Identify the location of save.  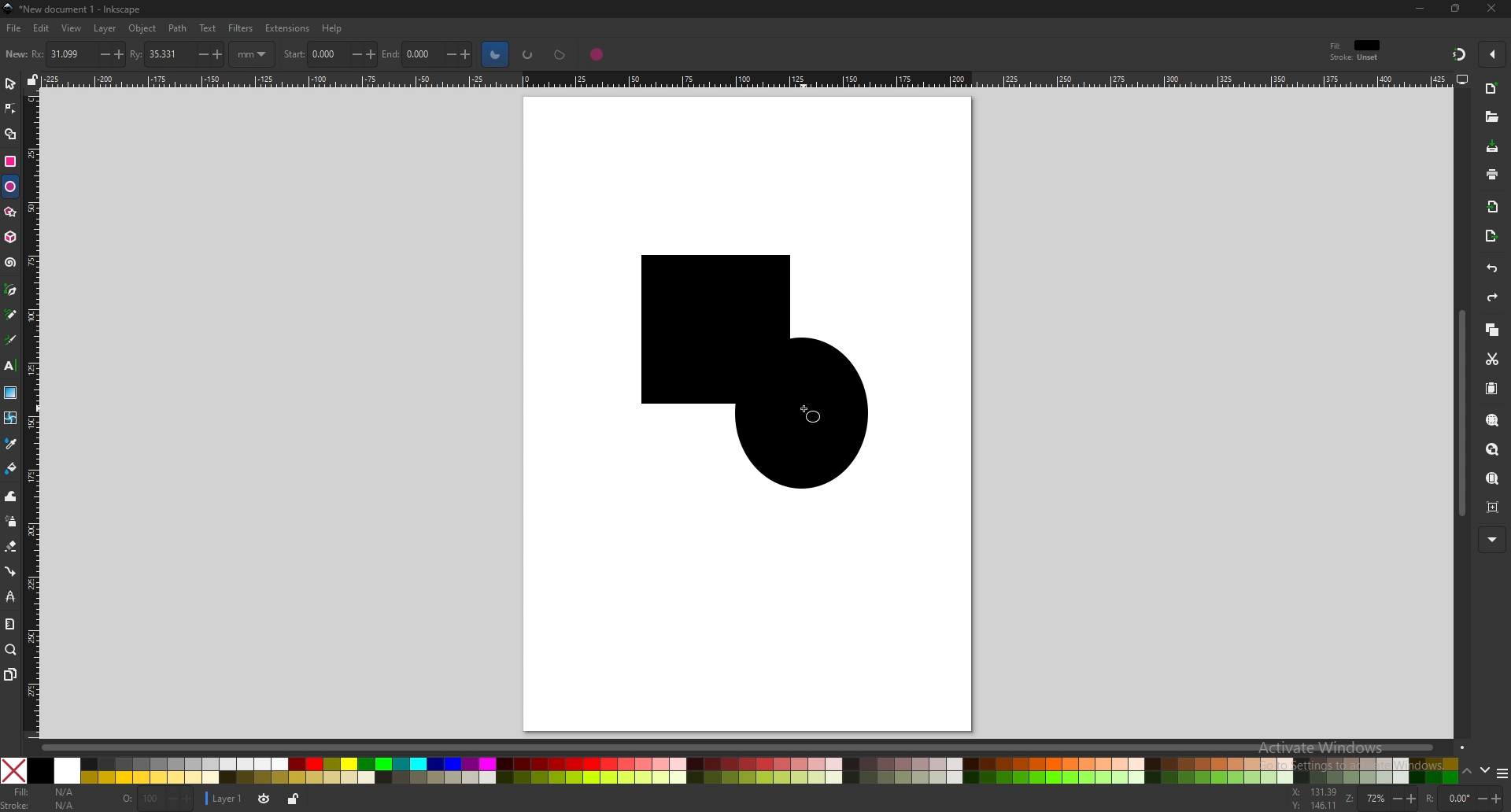
(1492, 146).